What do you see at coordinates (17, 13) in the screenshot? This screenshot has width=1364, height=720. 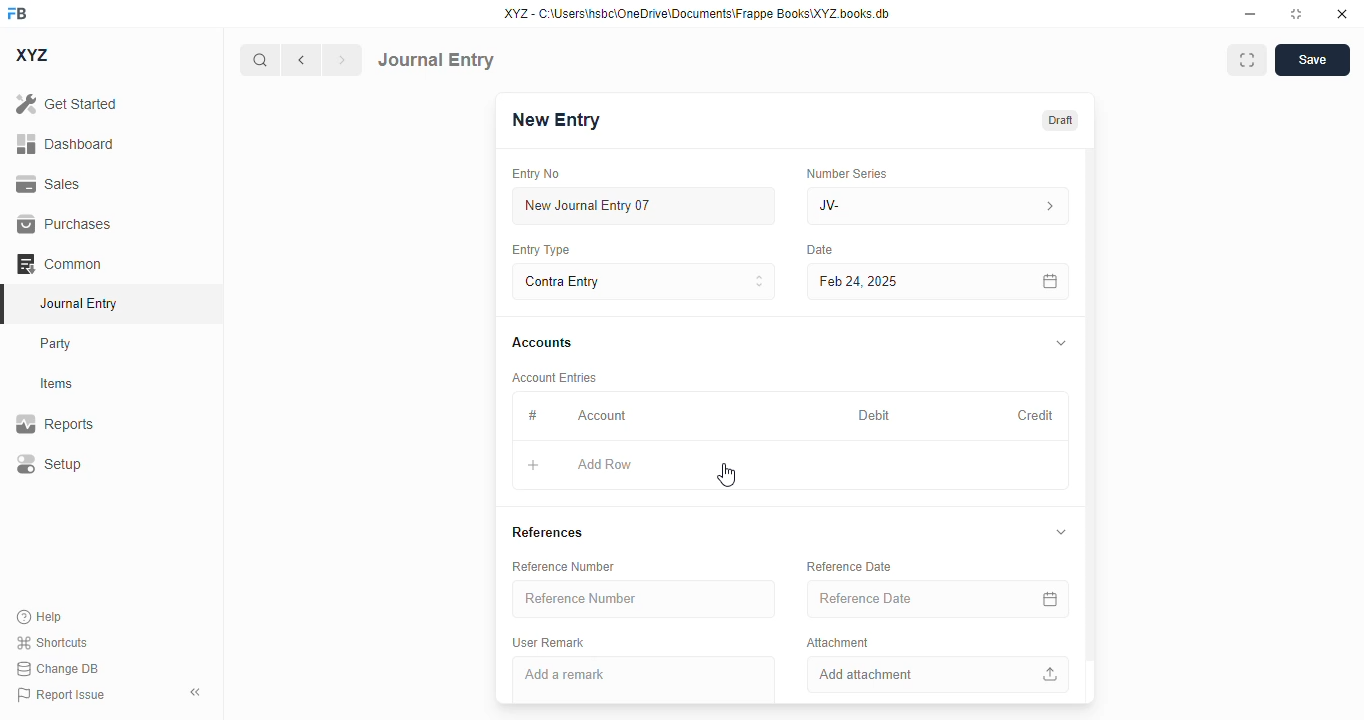 I see `FB - logo` at bounding box center [17, 13].